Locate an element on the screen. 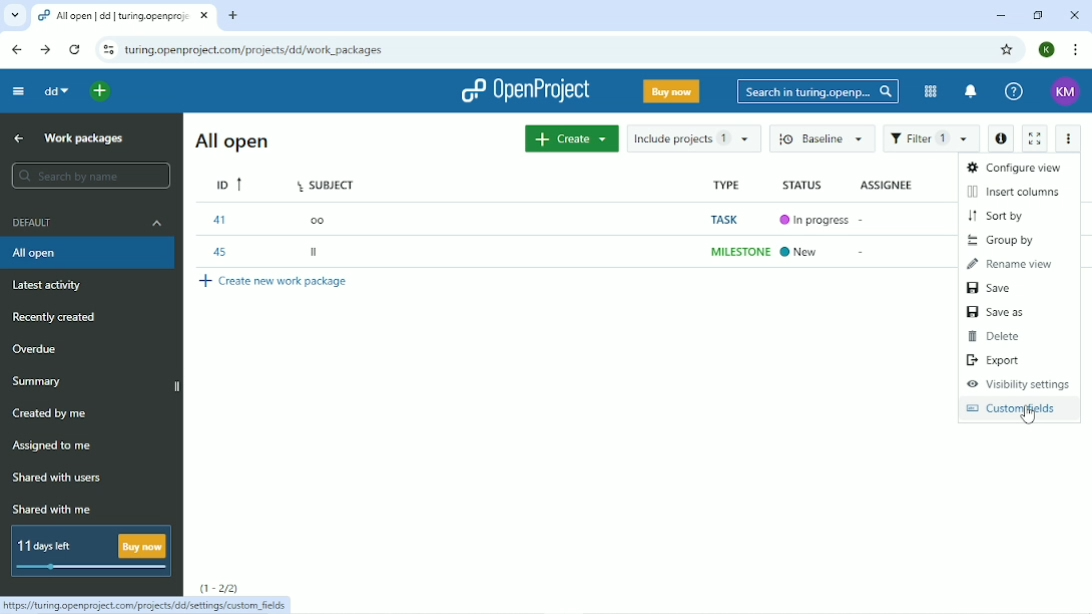 The image size is (1092, 614). Work packages is located at coordinates (86, 138).